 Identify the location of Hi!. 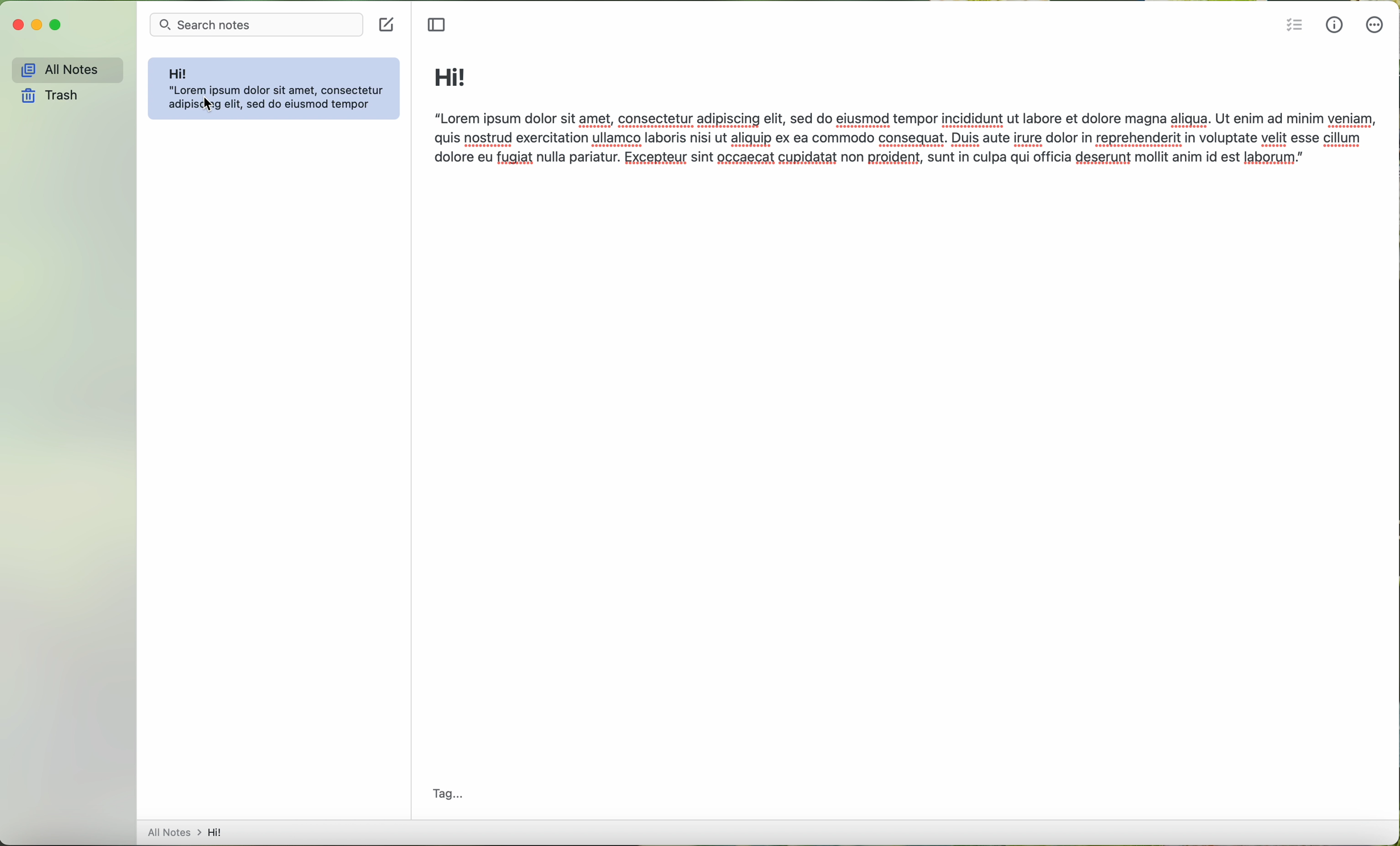
(451, 77).